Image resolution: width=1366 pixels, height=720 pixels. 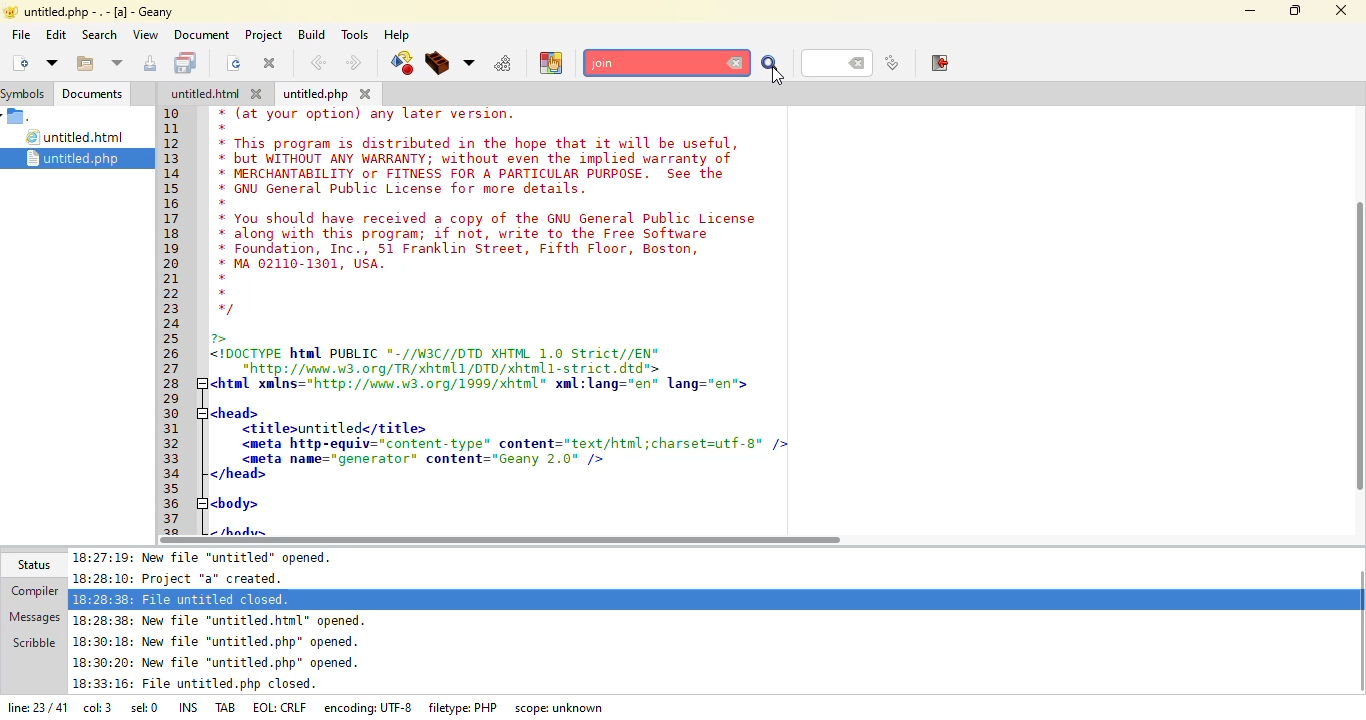 What do you see at coordinates (223, 292) in the screenshot?
I see `*` at bounding box center [223, 292].